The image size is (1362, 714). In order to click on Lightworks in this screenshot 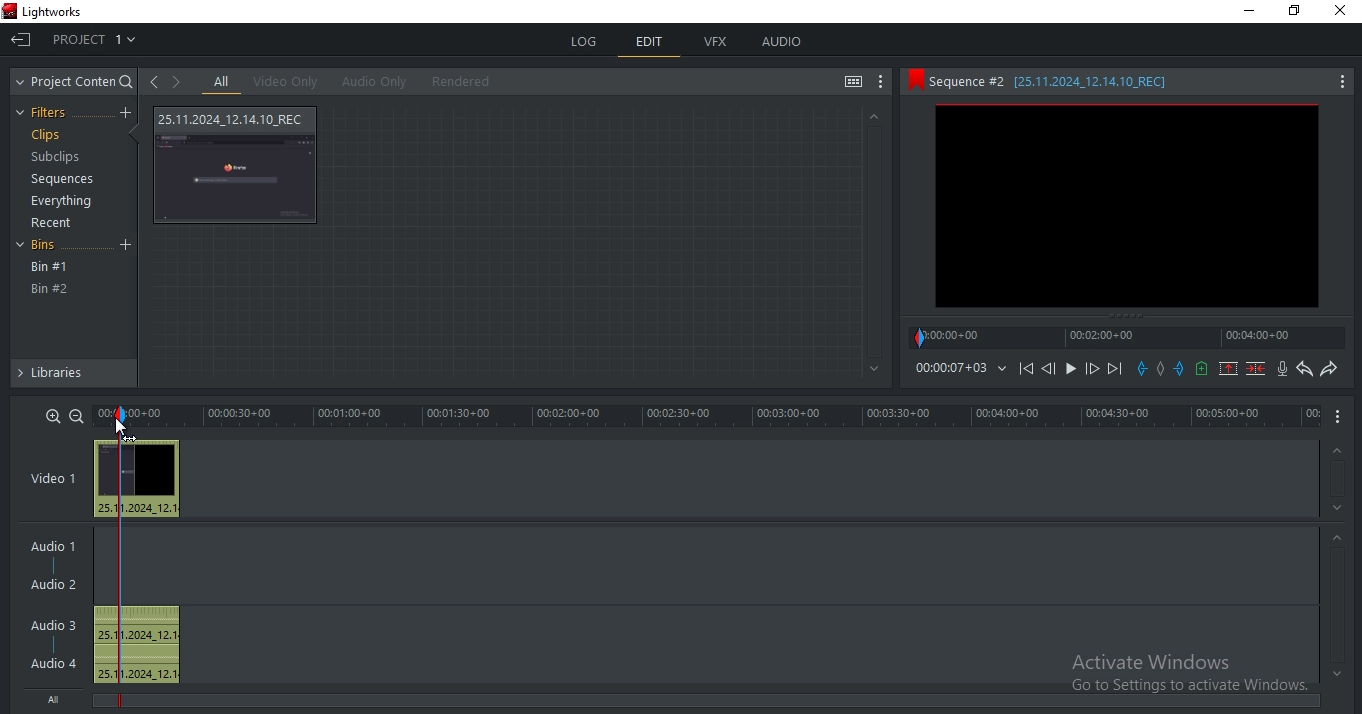, I will do `click(59, 11)`.